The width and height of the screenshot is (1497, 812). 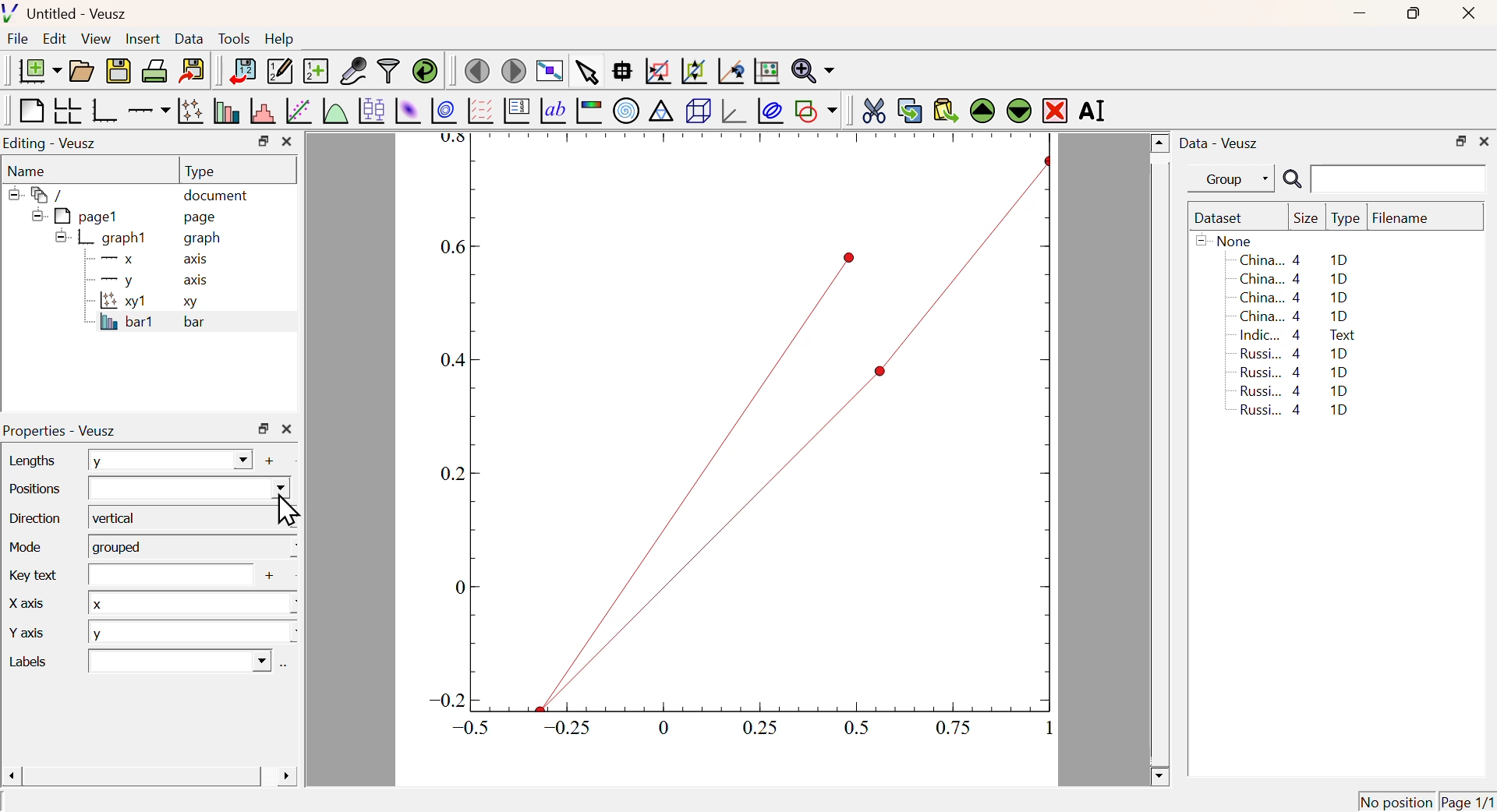 What do you see at coordinates (280, 39) in the screenshot?
I see `Help` at bounding box center [280, 39].